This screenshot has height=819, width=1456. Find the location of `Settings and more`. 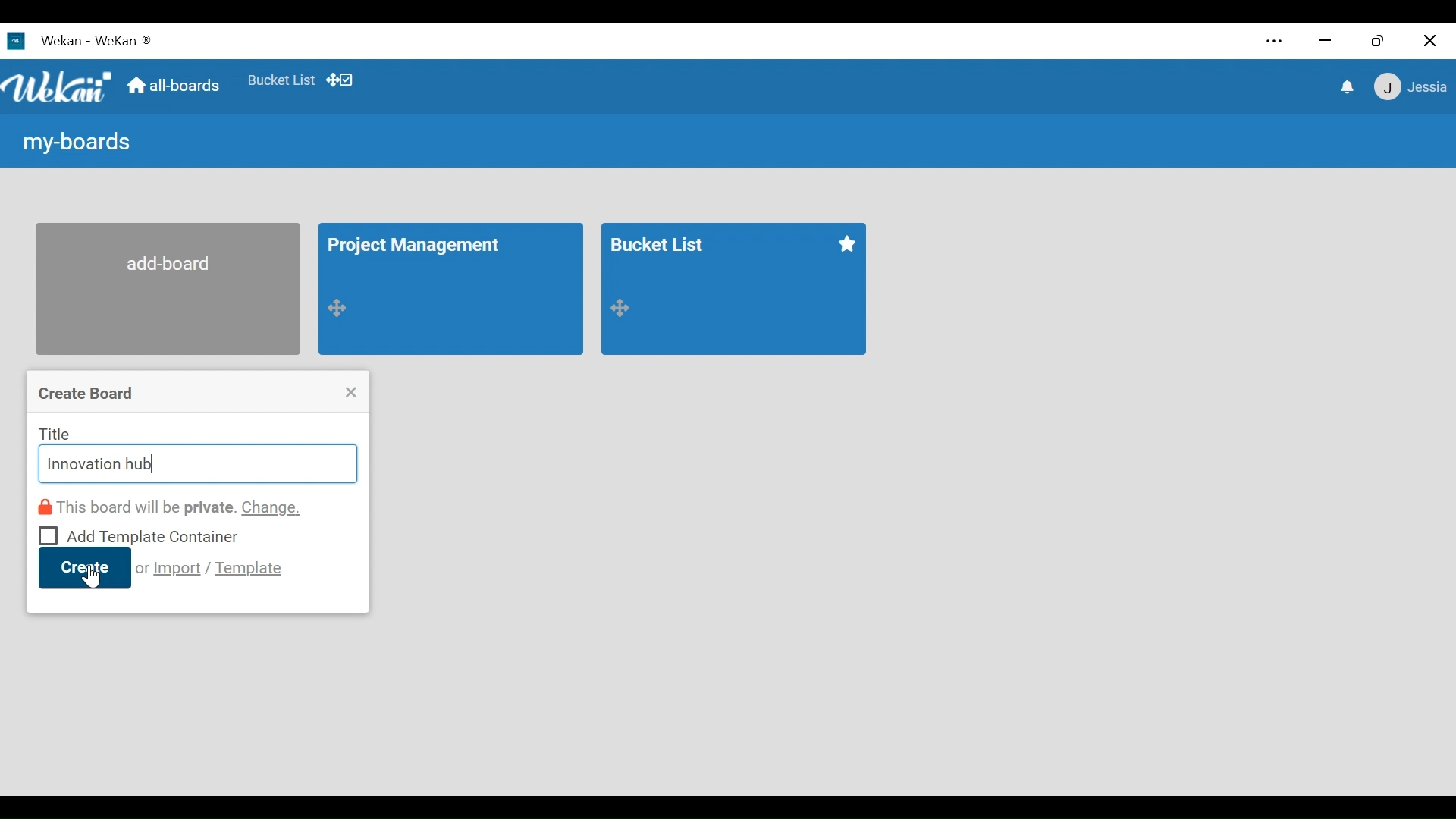

Settings and more is located at coordinates (1273, 42).